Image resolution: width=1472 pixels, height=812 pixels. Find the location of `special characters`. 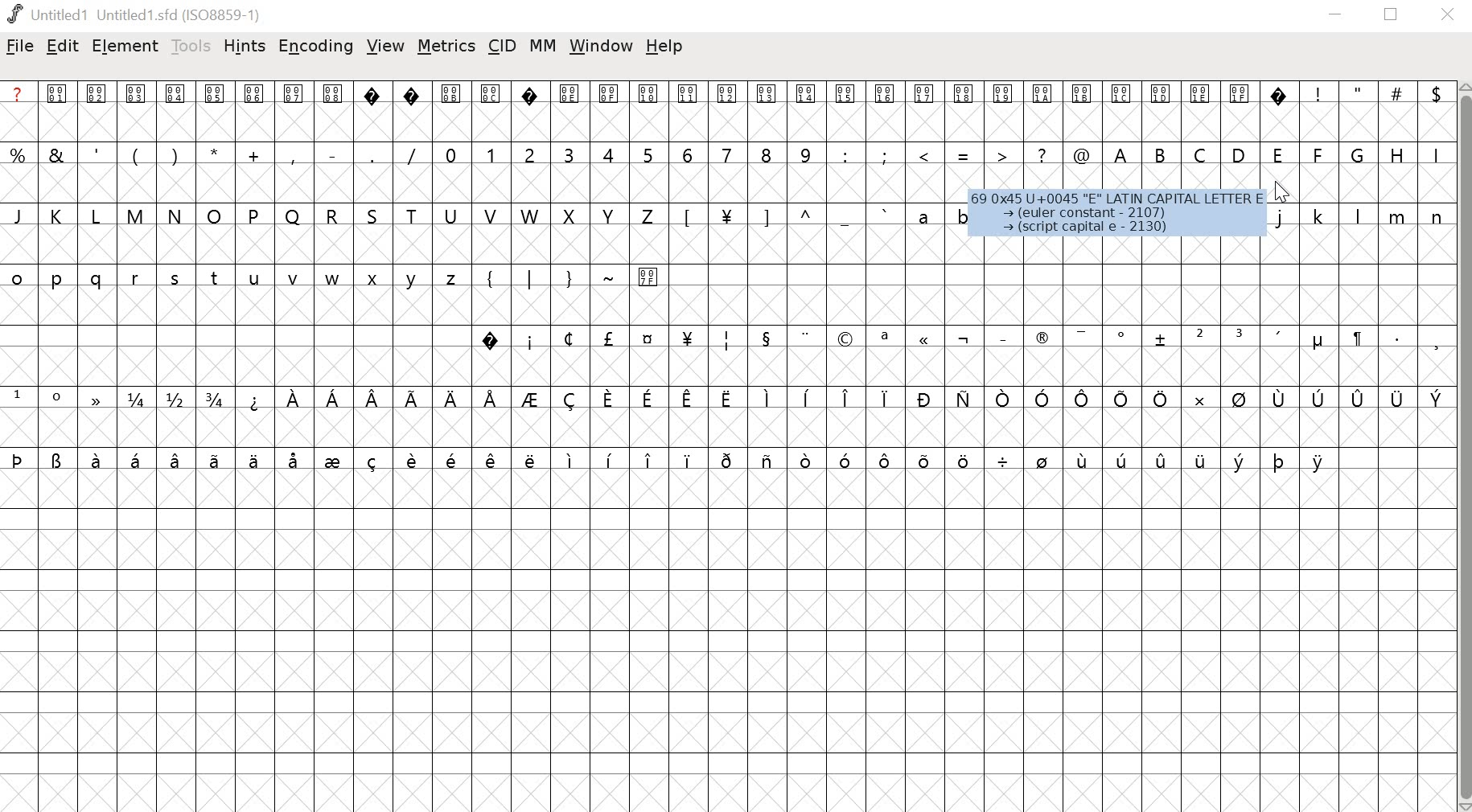

special characters is located at coordinates (725, 399).